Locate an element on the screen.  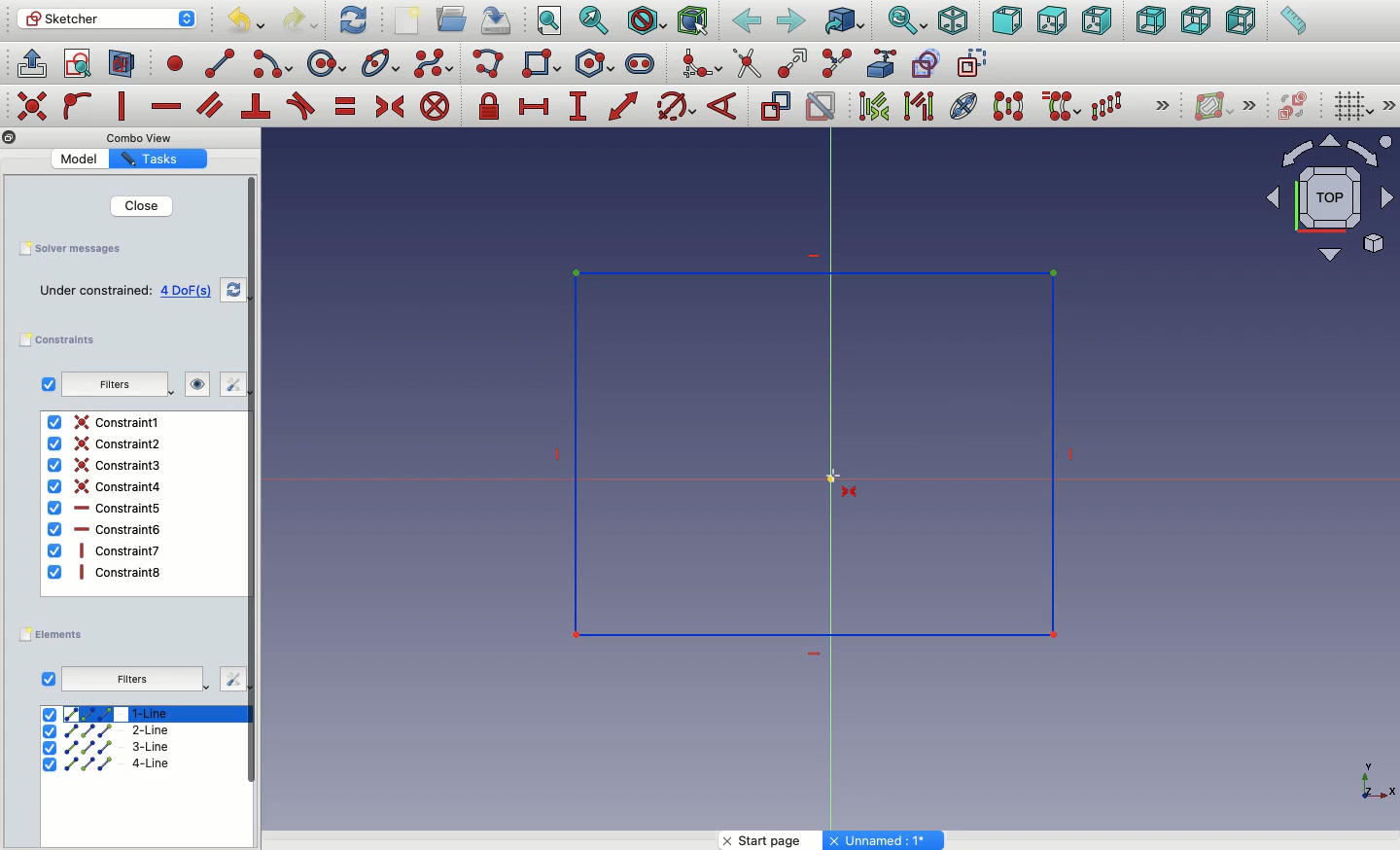
Isometric is located at coordinates (952, 22).